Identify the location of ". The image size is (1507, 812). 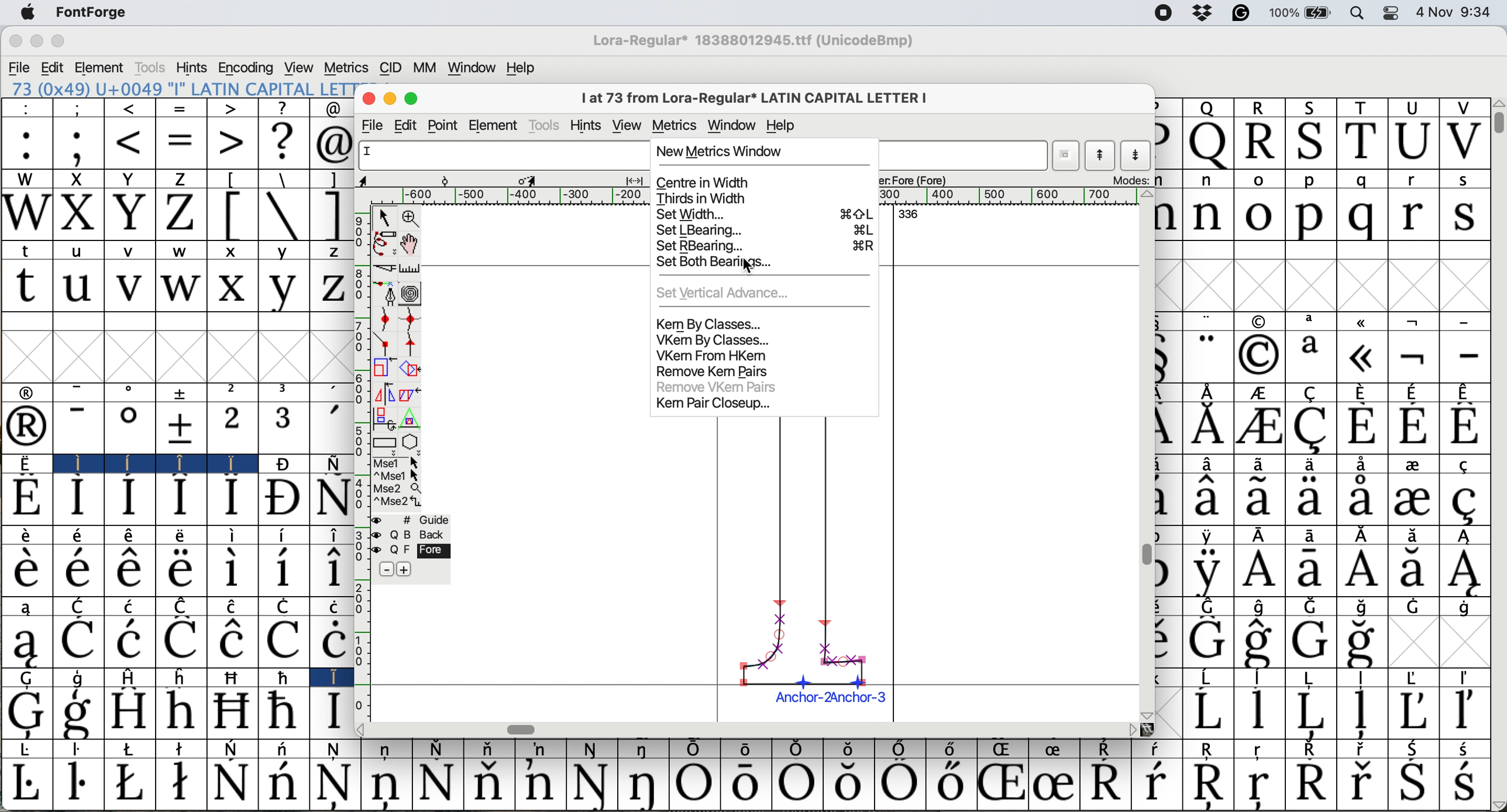
(1206, 355).